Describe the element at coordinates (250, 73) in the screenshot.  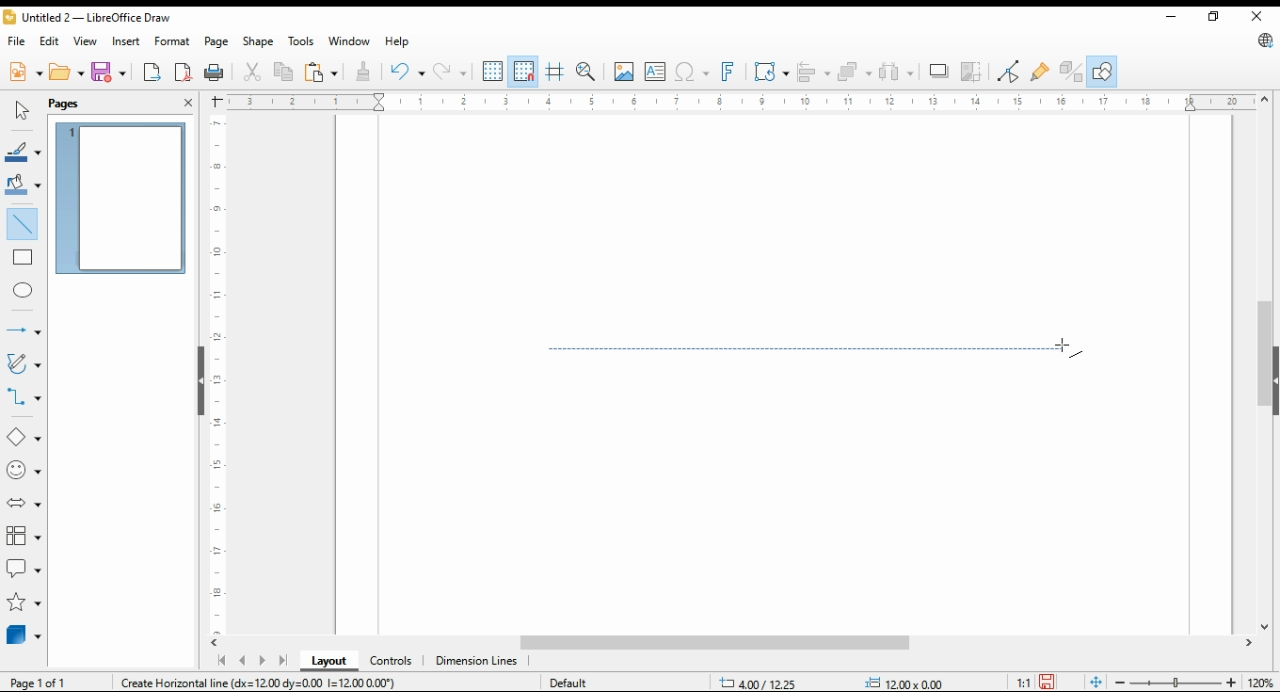
I see `cut` at that location.